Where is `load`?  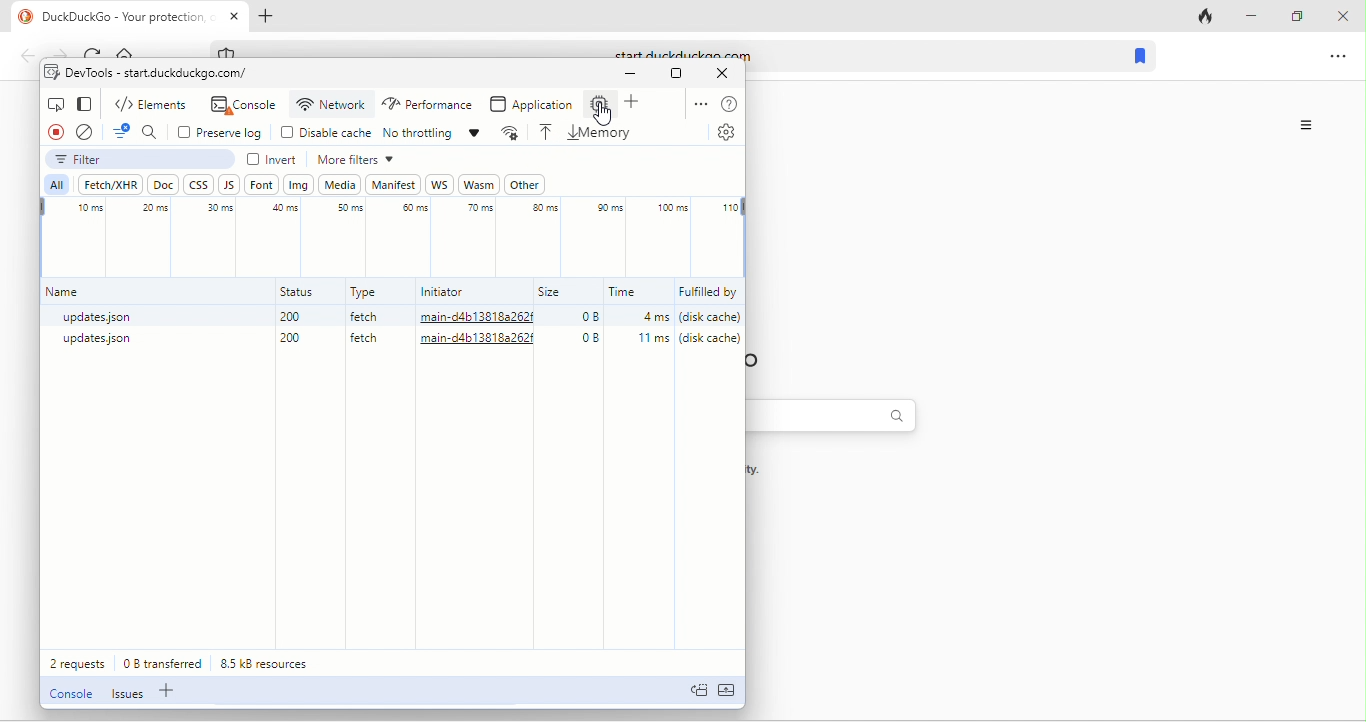
load is located at coordinates (547, 133).